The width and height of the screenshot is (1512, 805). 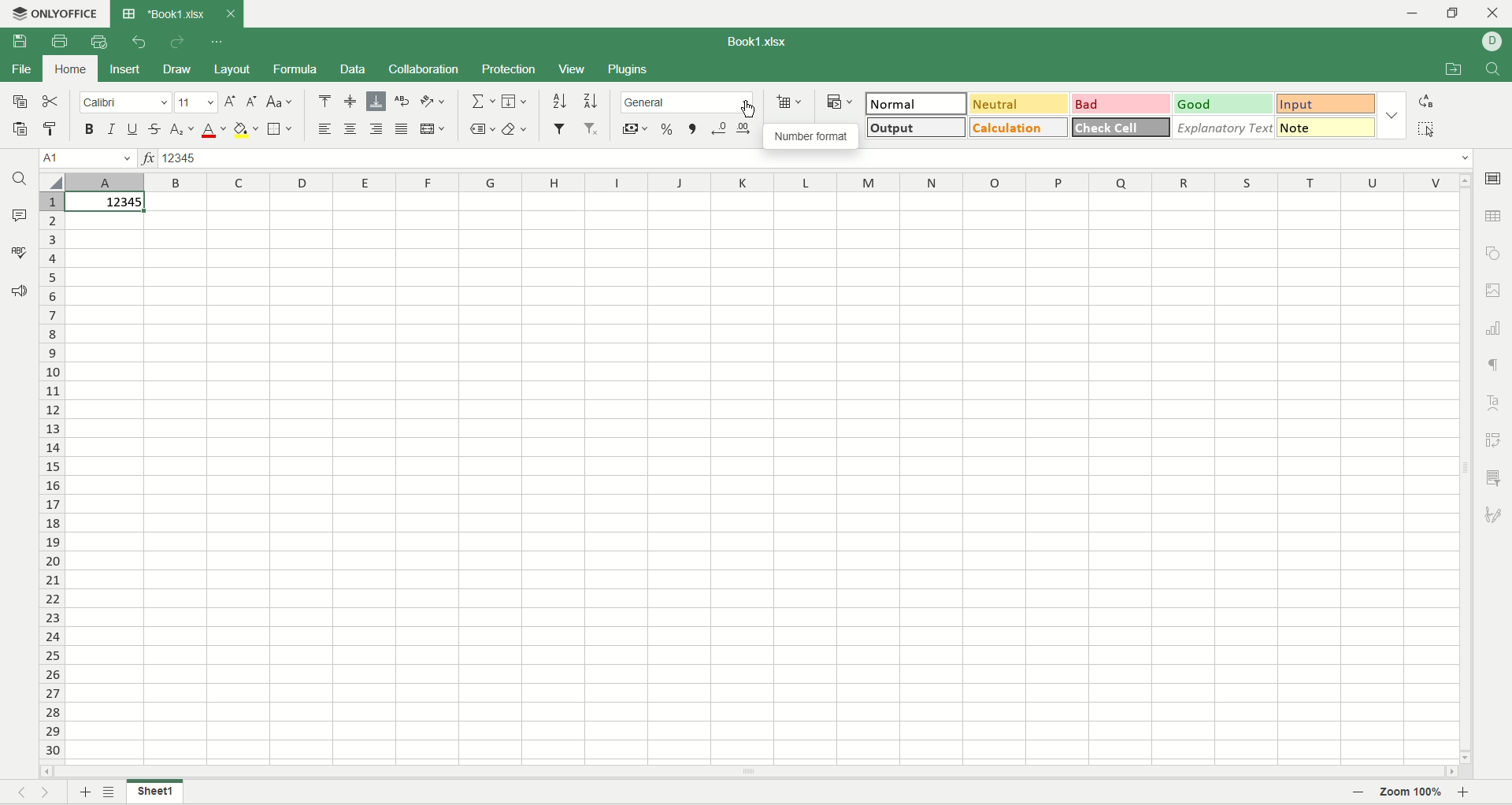 I want to click on explanatory text, so click(x=1221, y=126).